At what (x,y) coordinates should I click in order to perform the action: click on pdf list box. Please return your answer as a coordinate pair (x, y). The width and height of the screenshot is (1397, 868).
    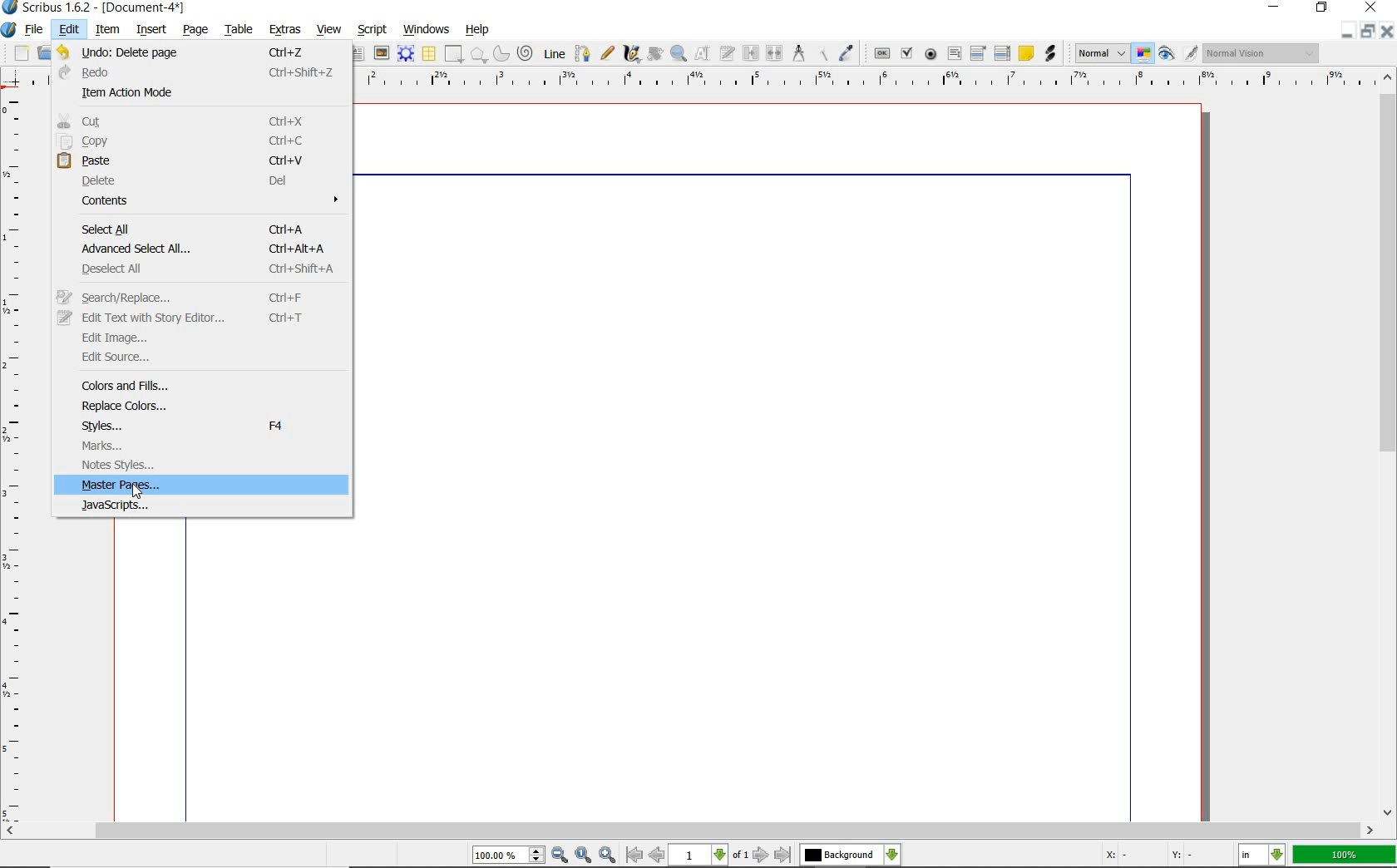
    Looking at the image, I should click on (1001, 55).